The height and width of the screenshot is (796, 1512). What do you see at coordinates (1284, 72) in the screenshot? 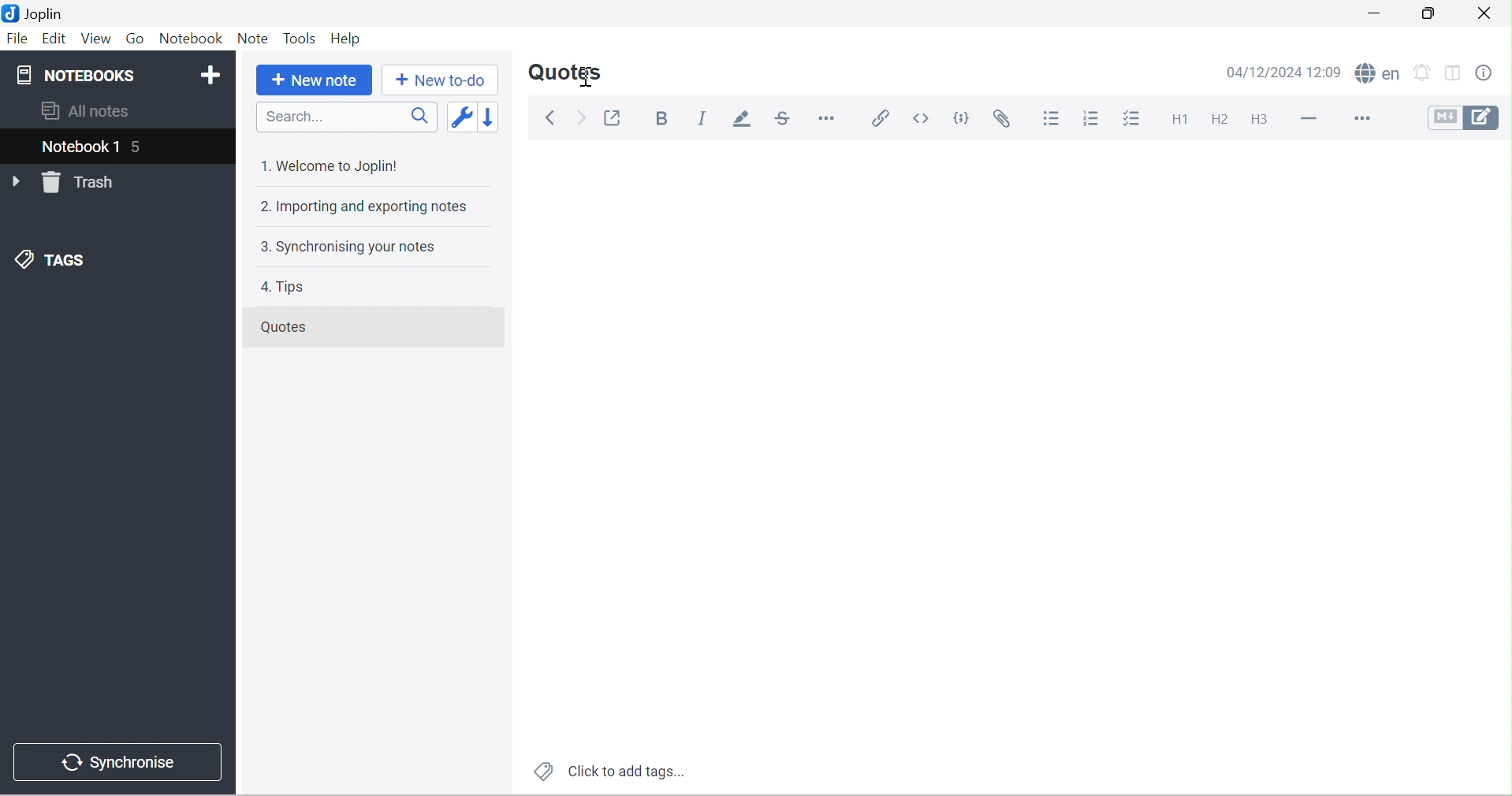
I see `04/12/2024 12:09` at bounding box center [1284, 72].